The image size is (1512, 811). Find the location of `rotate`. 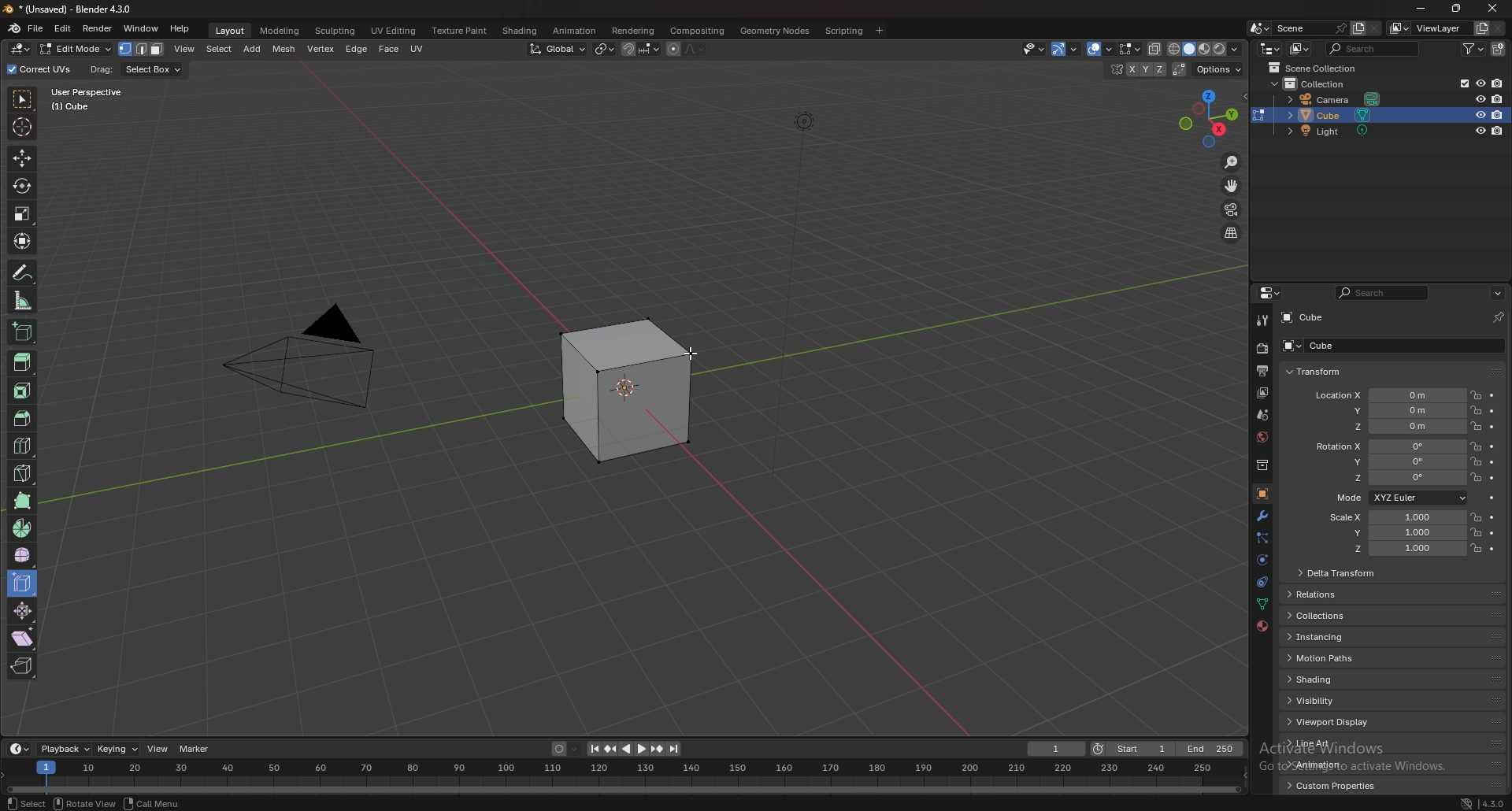

rotate is located at coordinates (21, 186).